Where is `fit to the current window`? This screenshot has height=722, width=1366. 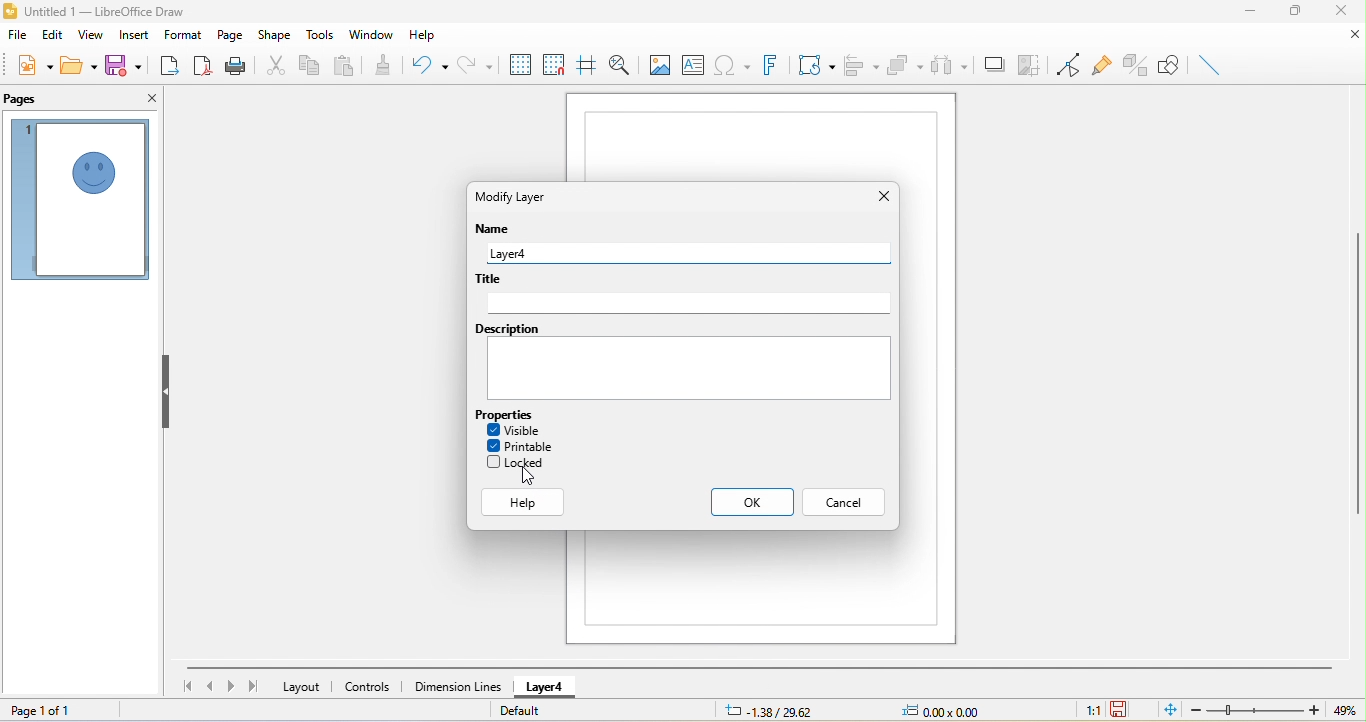
fit to the current window is located at coordinates (1165, 710).